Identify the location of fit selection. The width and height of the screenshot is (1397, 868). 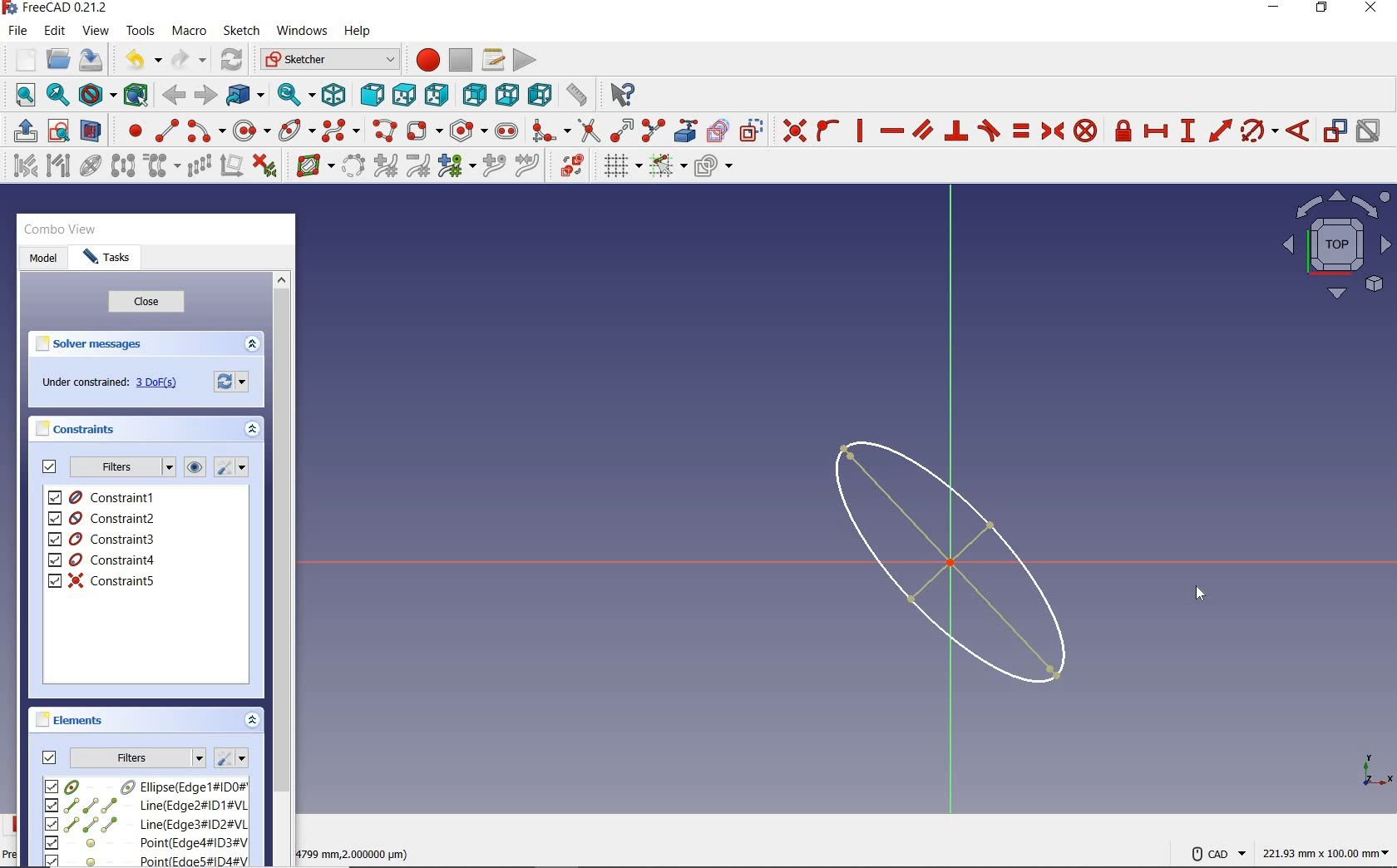
(57, 96).